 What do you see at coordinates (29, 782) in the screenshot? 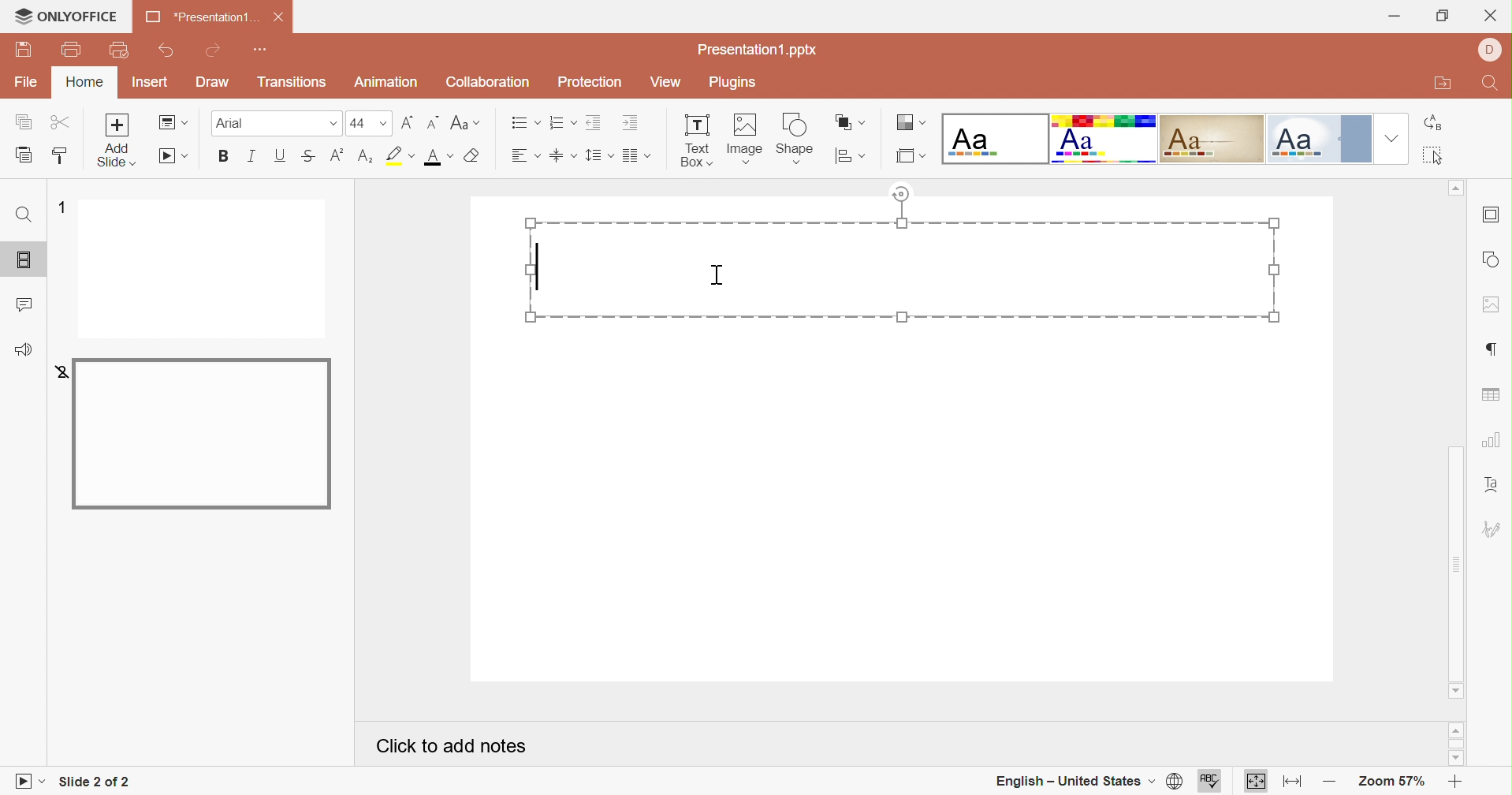
I see `Start slideshow` at bounding box center [29, 782].